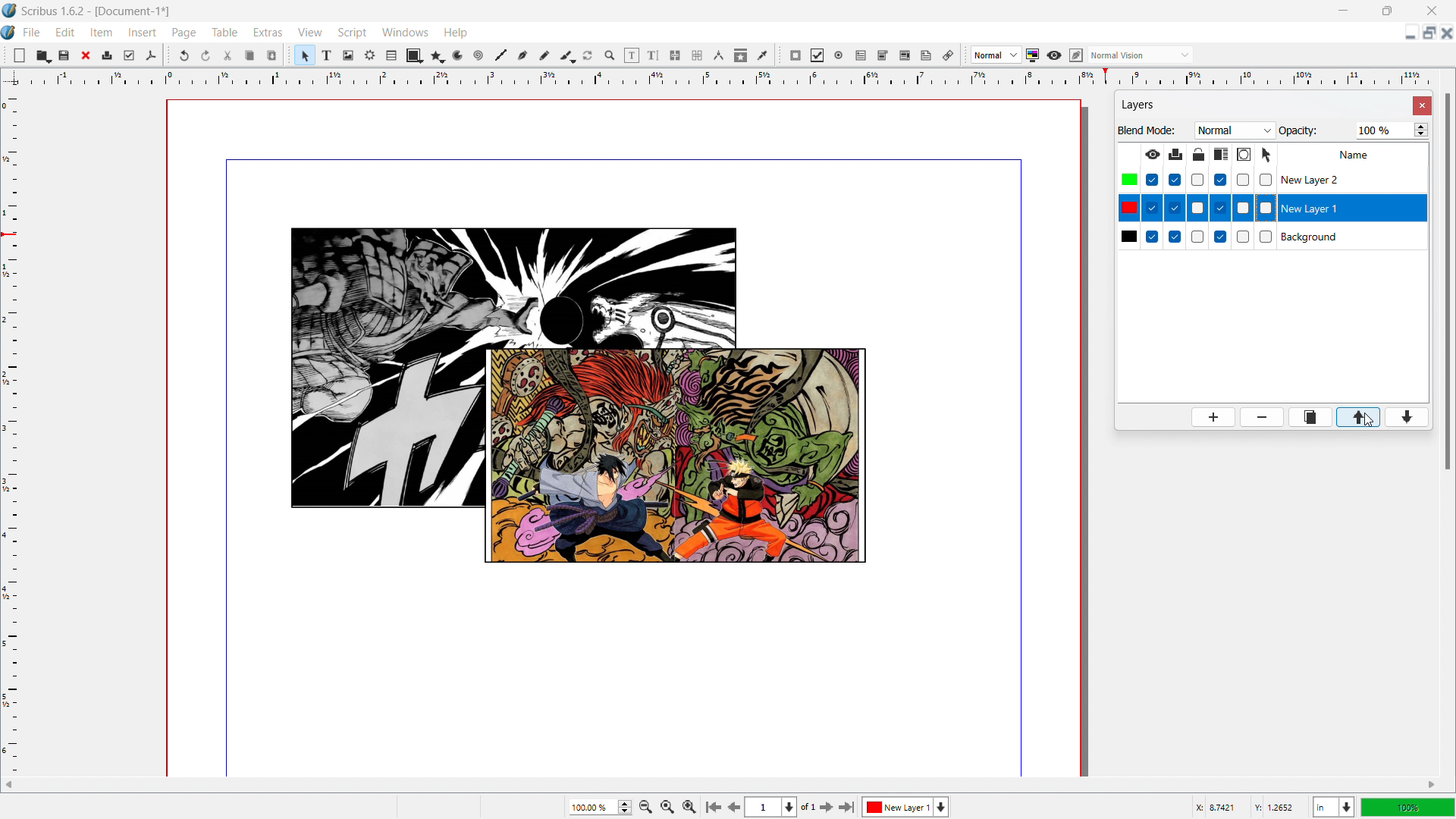 Image resolution: width=1456 pixels, height=819 pixels. What do you see at coordinates (67, 33) in the screenshot?
I see `edit` at bounding box center [67, 33].